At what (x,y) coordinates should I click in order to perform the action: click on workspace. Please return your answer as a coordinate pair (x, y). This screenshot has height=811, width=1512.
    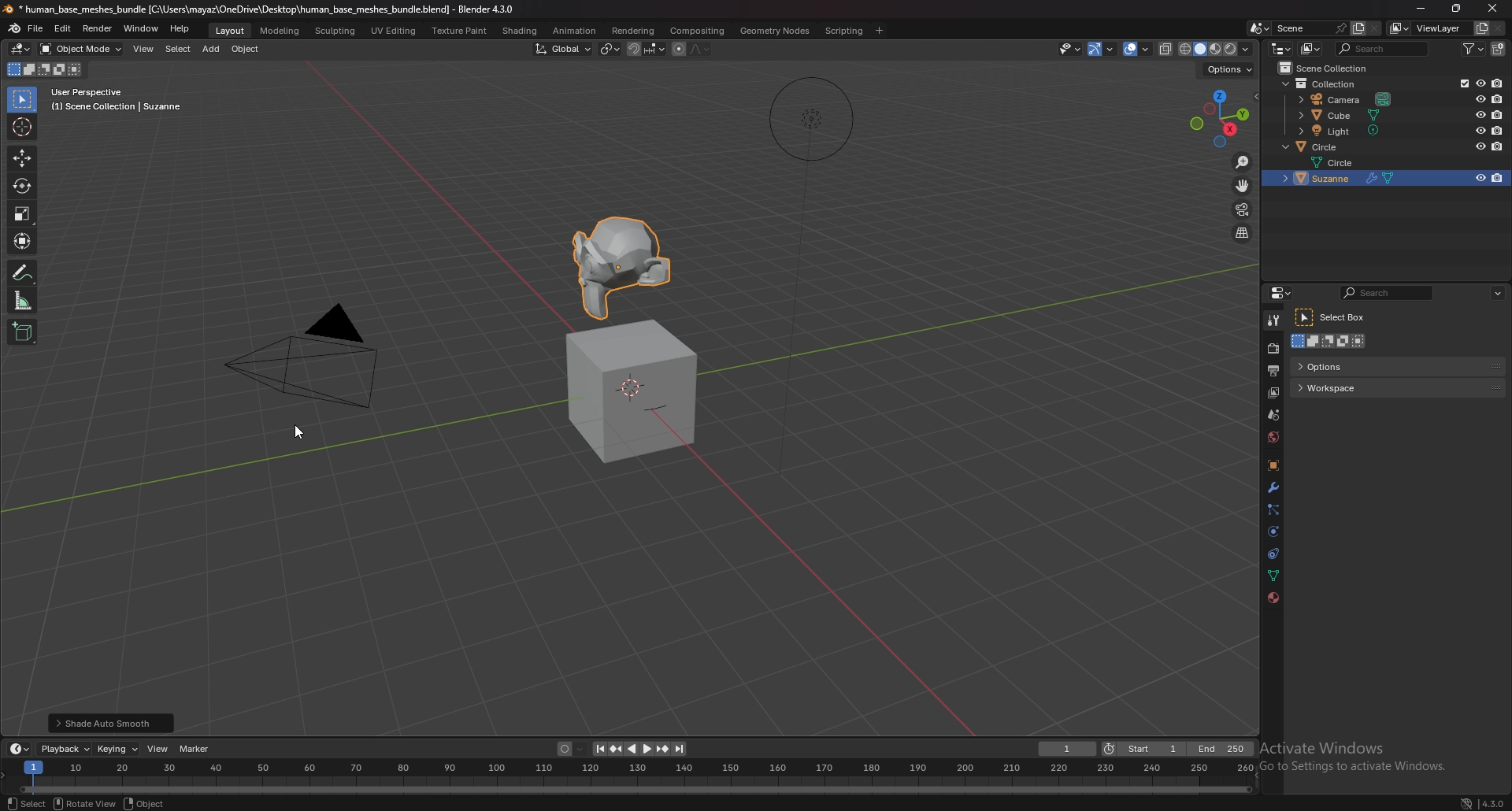
    Looking at the image, I should click on (1347, 388).